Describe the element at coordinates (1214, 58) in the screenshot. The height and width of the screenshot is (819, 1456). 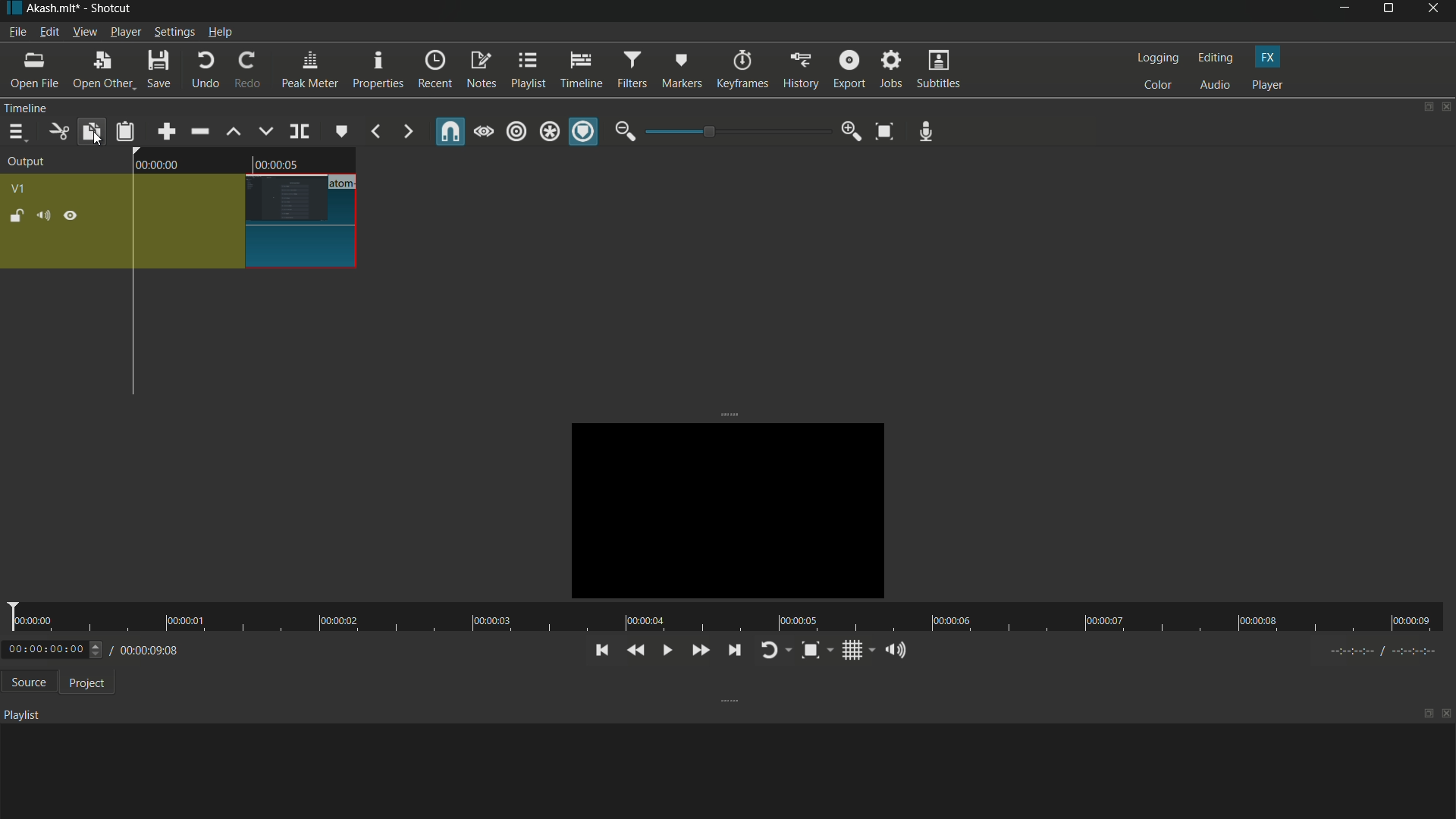
I see `editing` at that location.